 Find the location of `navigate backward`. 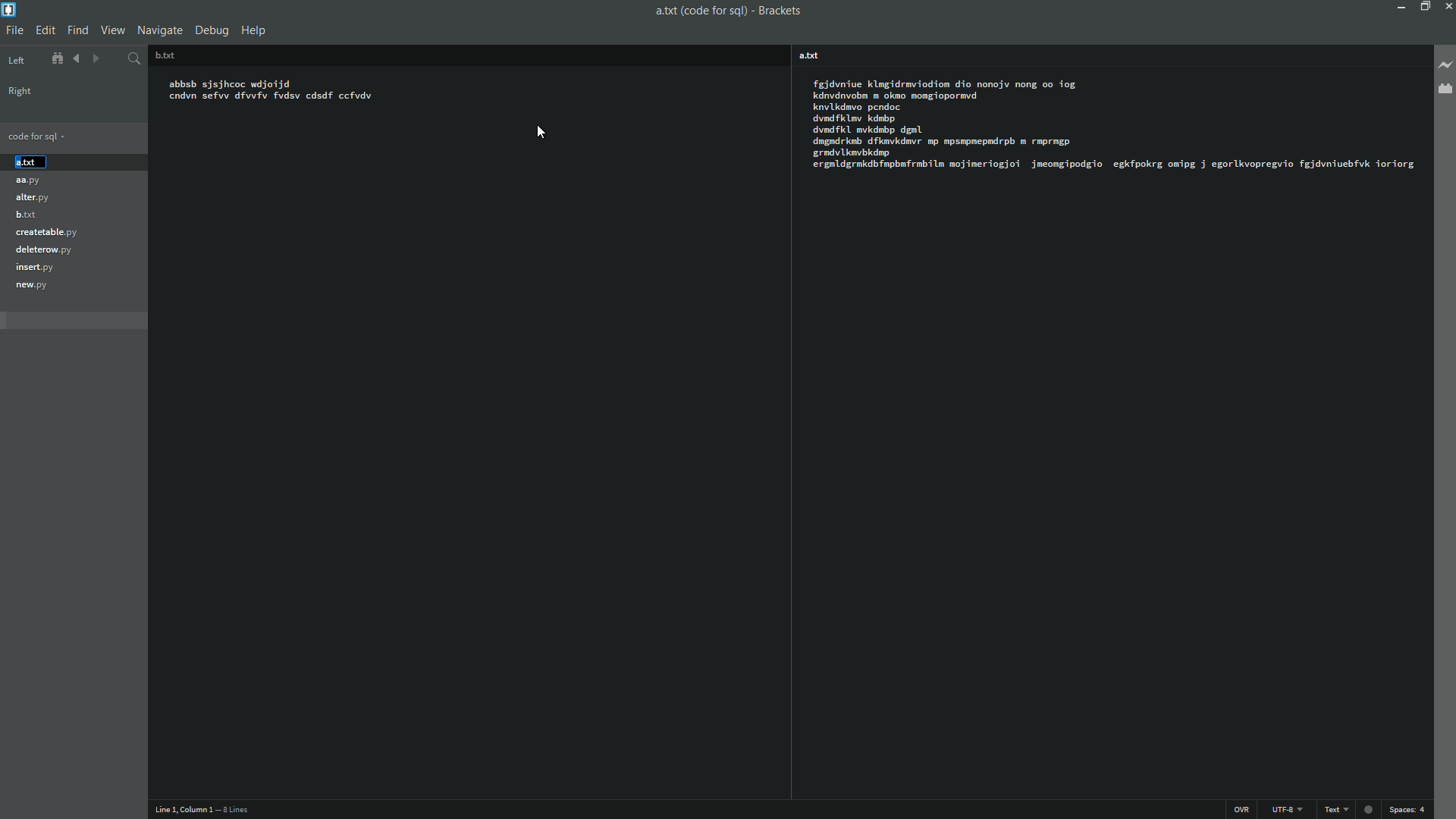

navigate backward is located at coordinates (100, 58).